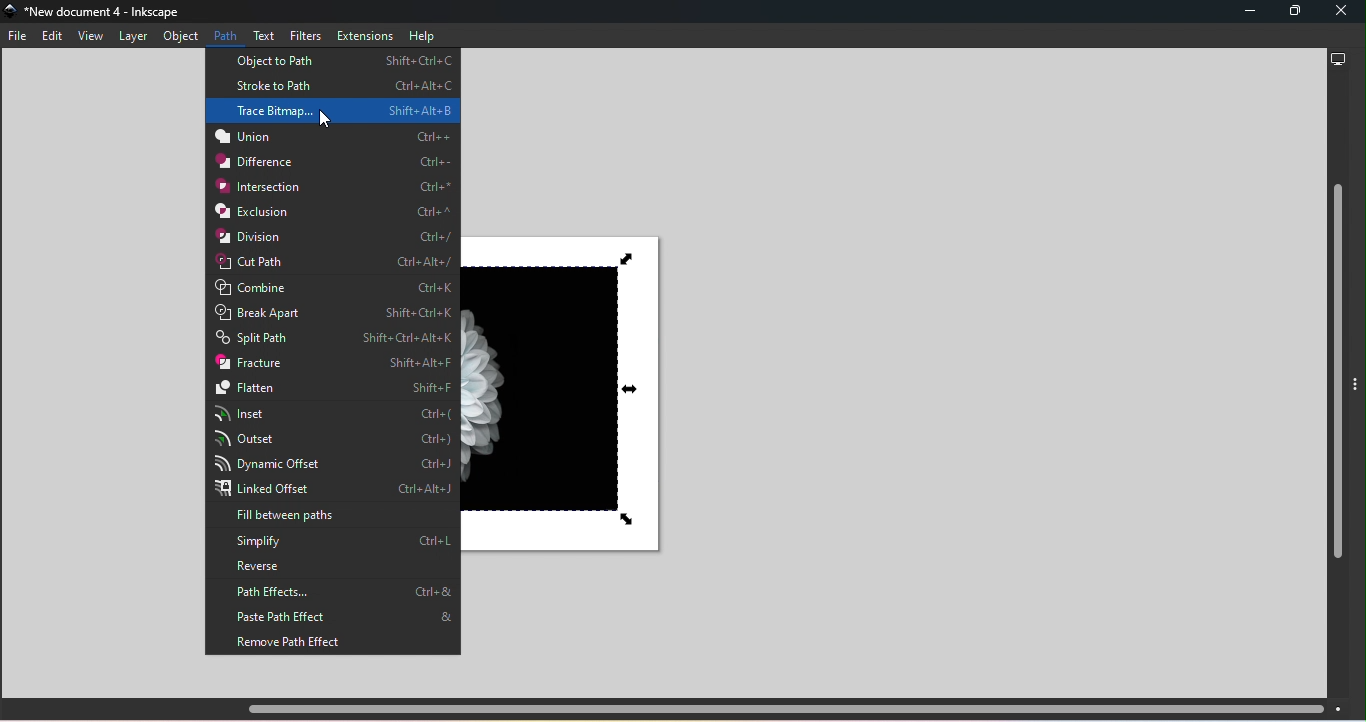 Image resolution: width=1366 pixels, height=722 pixels. What do you see at coordinates (1340, 385) in the screenshot?
I see `Vertical scroll bar` at bounding box center [1340, 385].